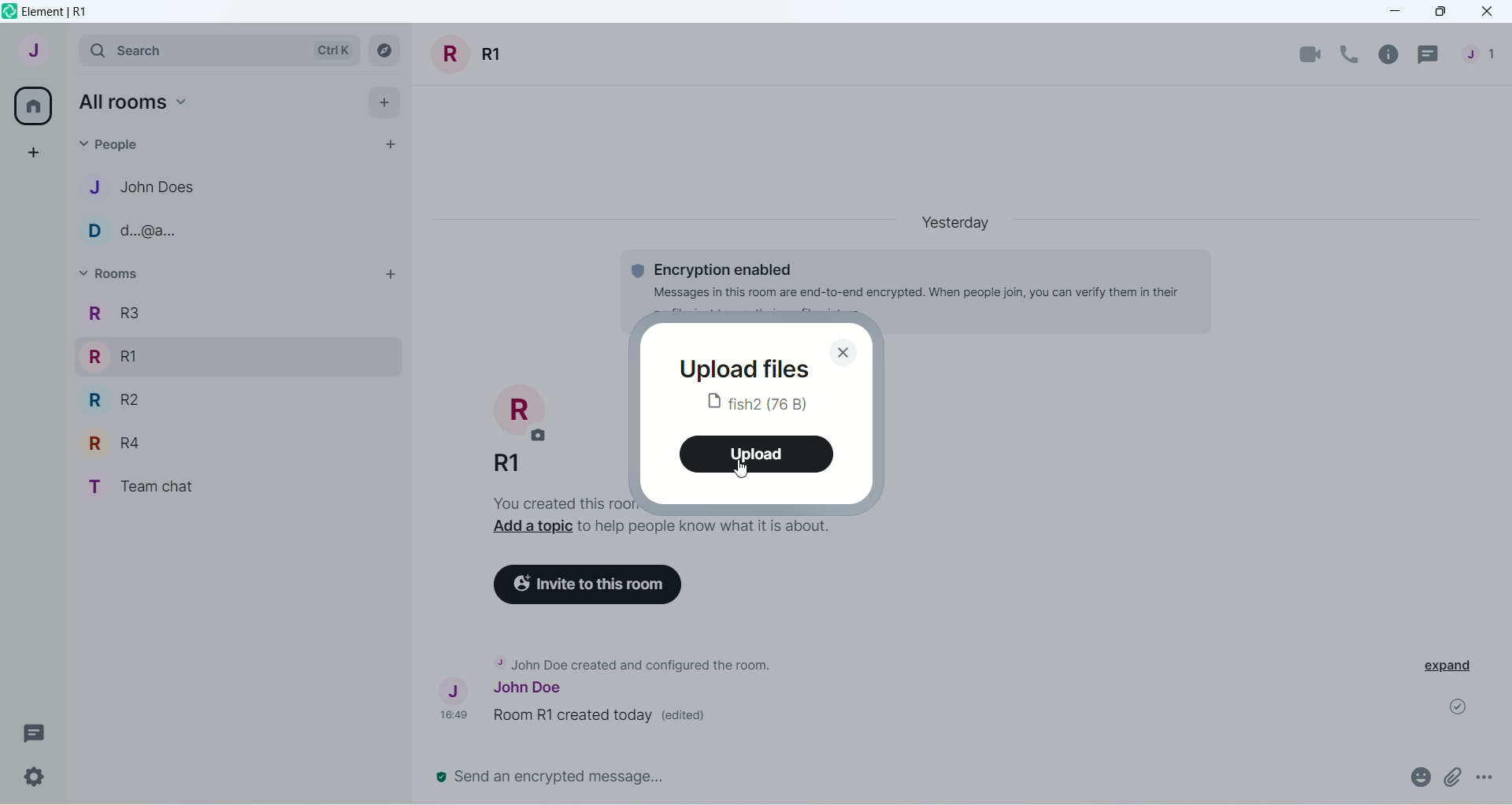 The height and width of the screenshot is (805, 1512). I want to click on R R2, so click(114, 401).